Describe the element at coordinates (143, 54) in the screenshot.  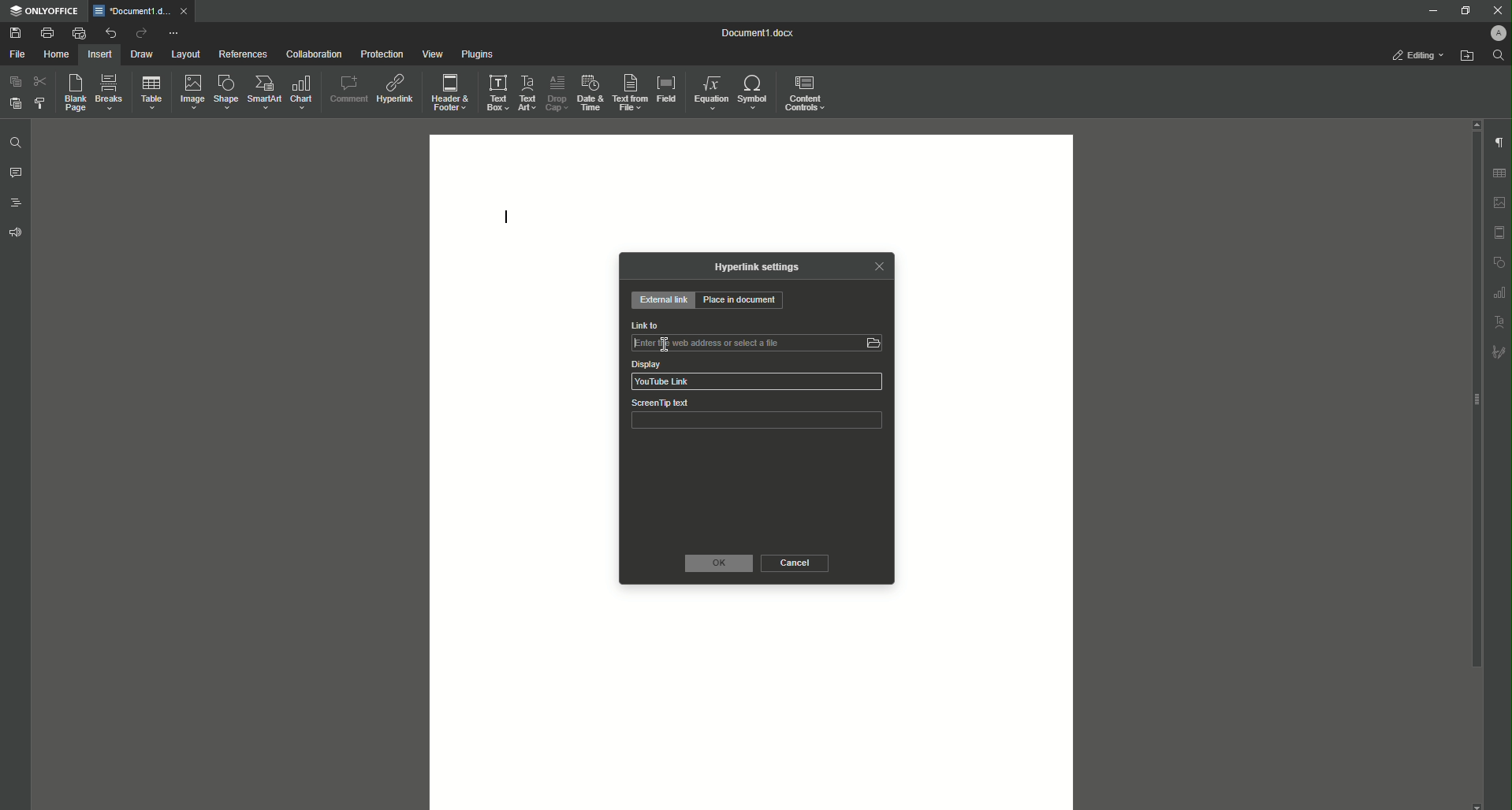
I see `Draw` at that location.